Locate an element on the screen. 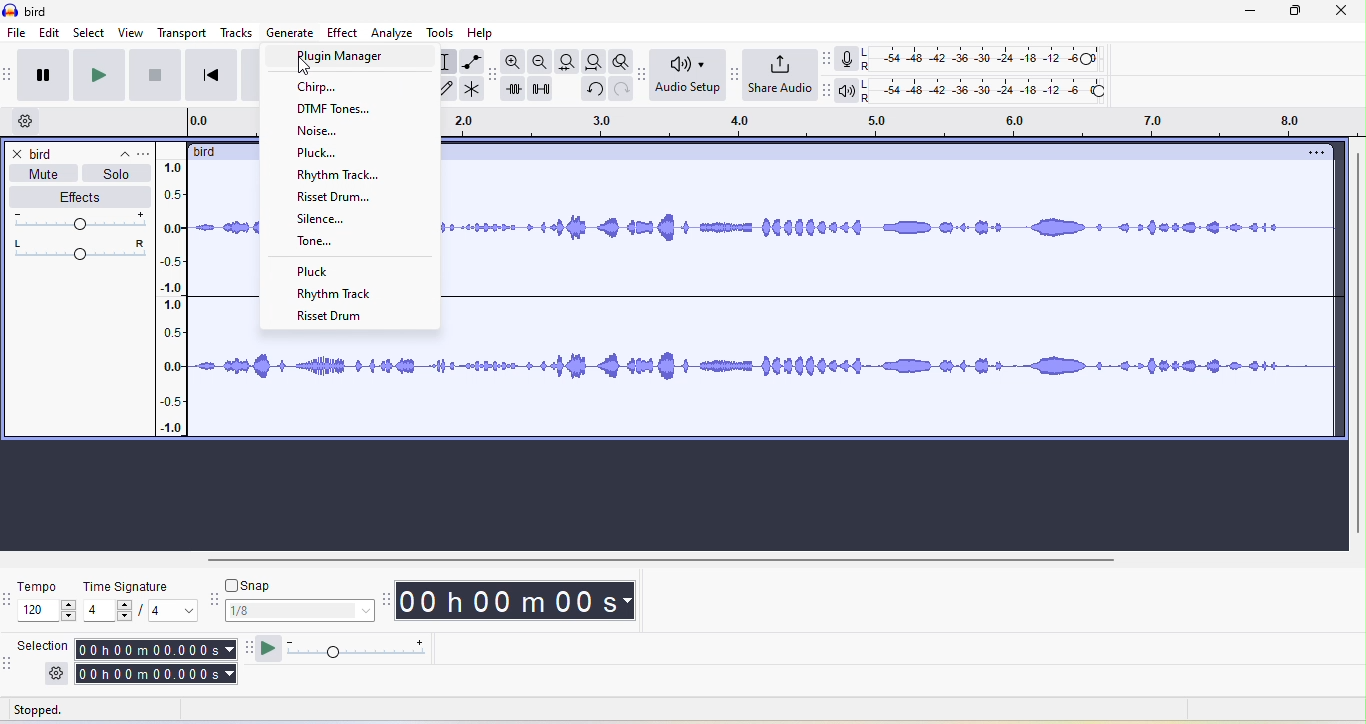 The image size is (1366, 724). help is located at coordinates (491, 35).